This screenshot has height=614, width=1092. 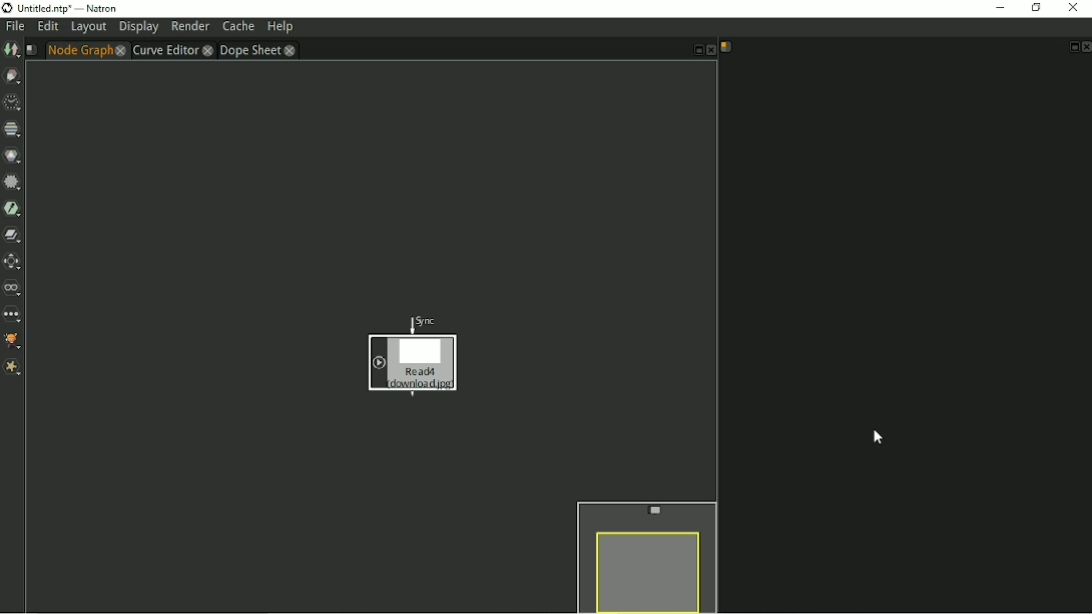 I want to click on Help, so click(x=279, y=27).